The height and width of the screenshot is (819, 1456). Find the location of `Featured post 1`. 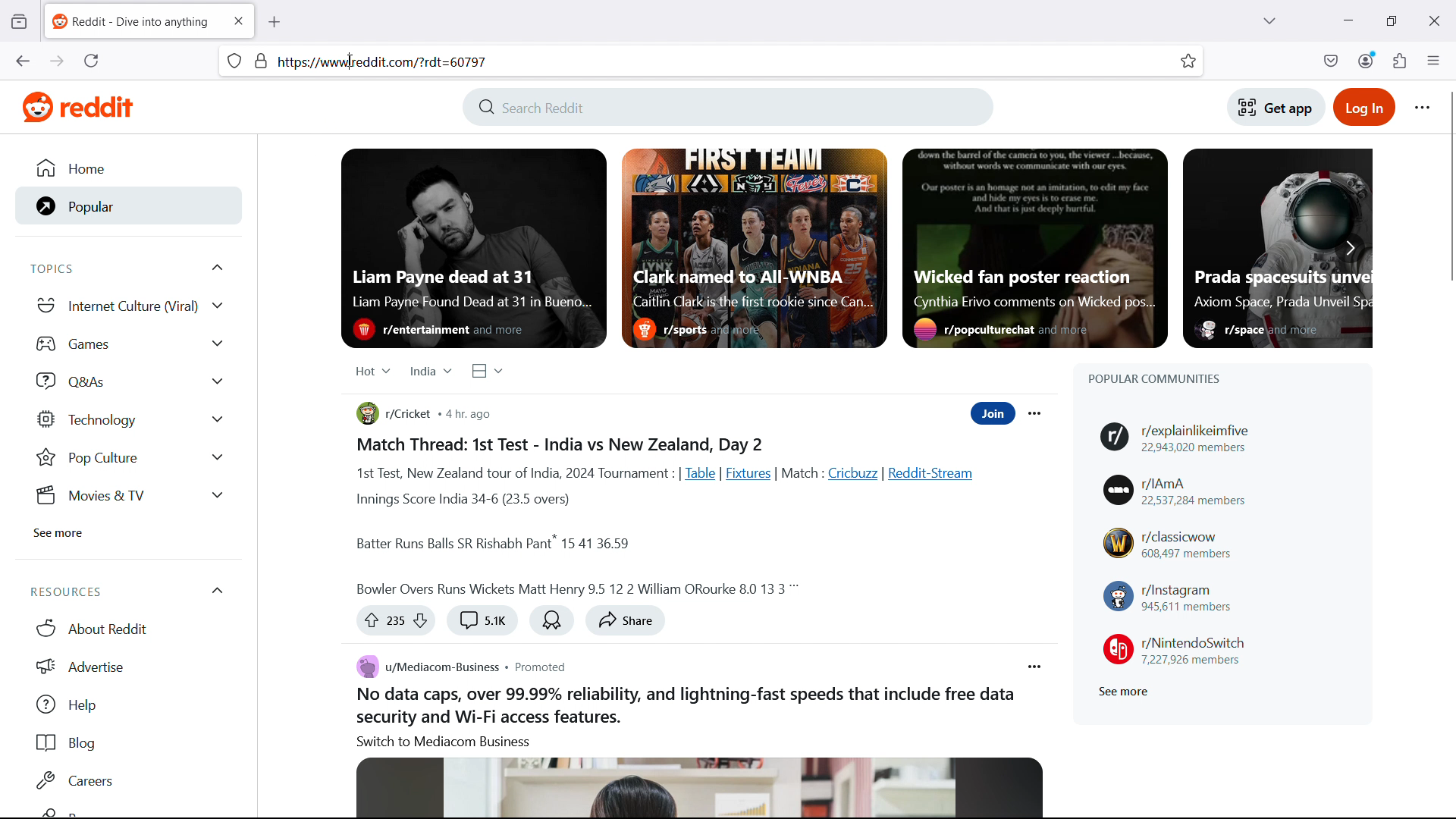

Featured post 1 is located at coordinates (473, 248).